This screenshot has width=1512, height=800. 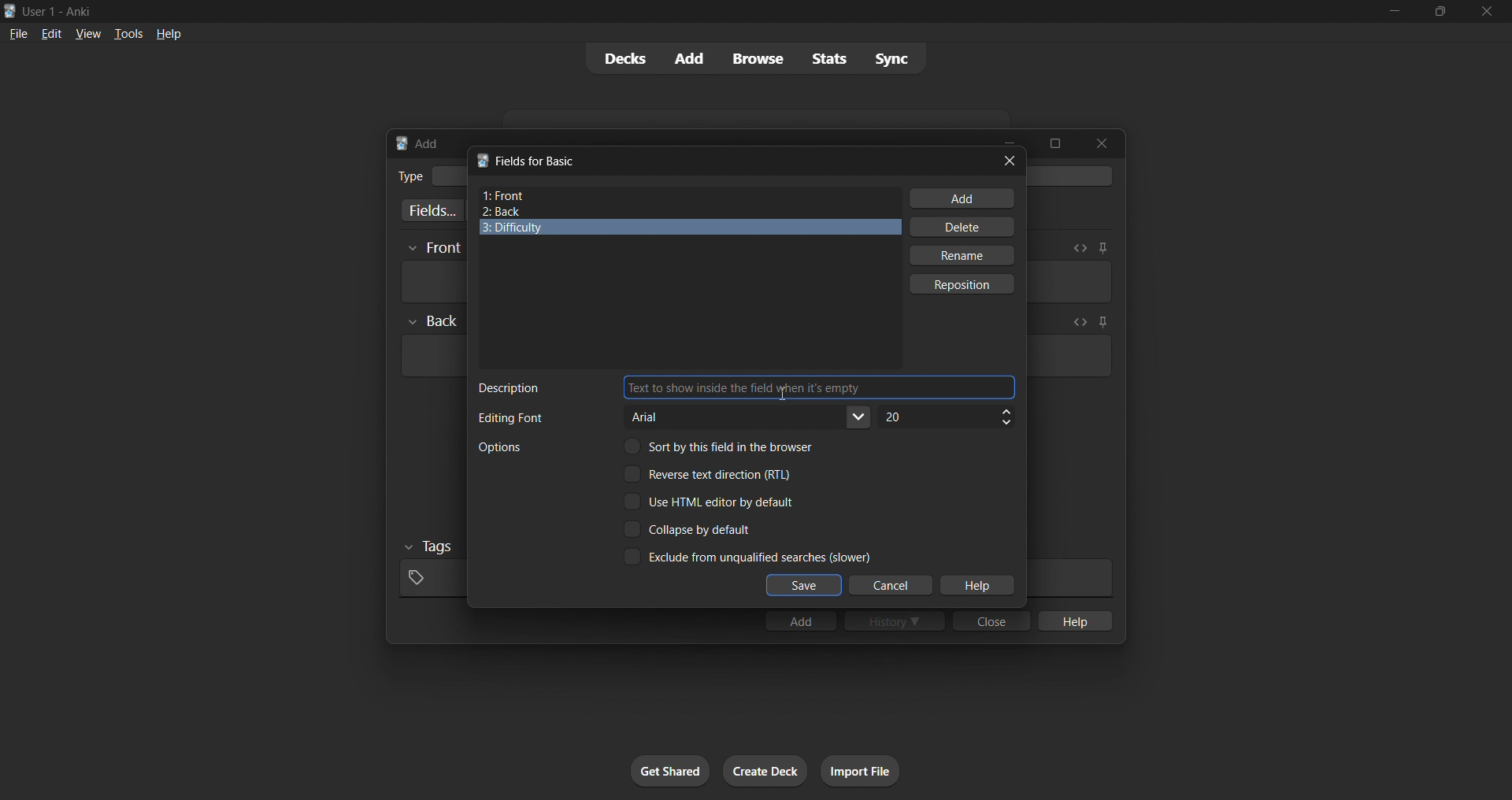 I want to click on Toggle HTML editor, so click(x=1078, y=322).